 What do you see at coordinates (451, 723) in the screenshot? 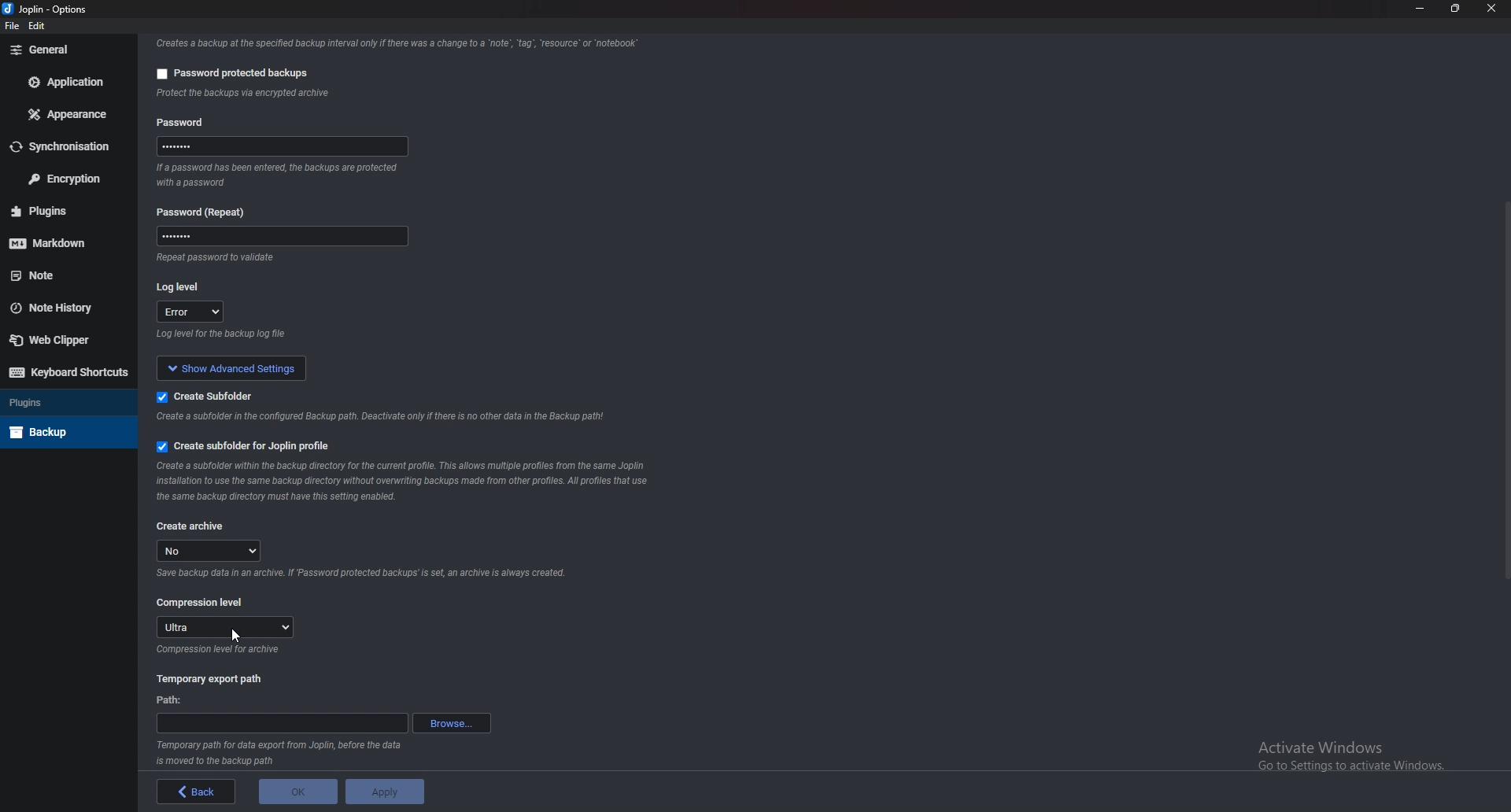
I see `Browse` at bounding box center [451, 723].